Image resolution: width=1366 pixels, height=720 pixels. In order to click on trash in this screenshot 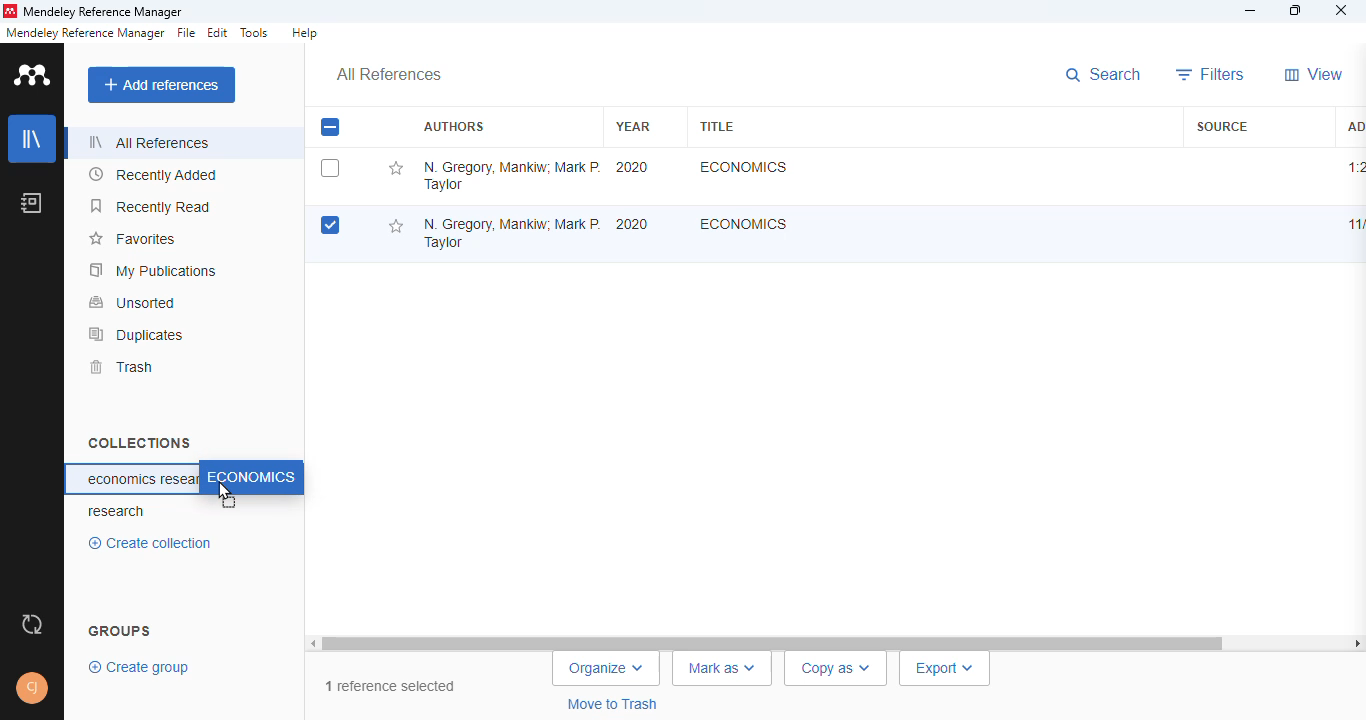, I will do `click(120, 367)`.